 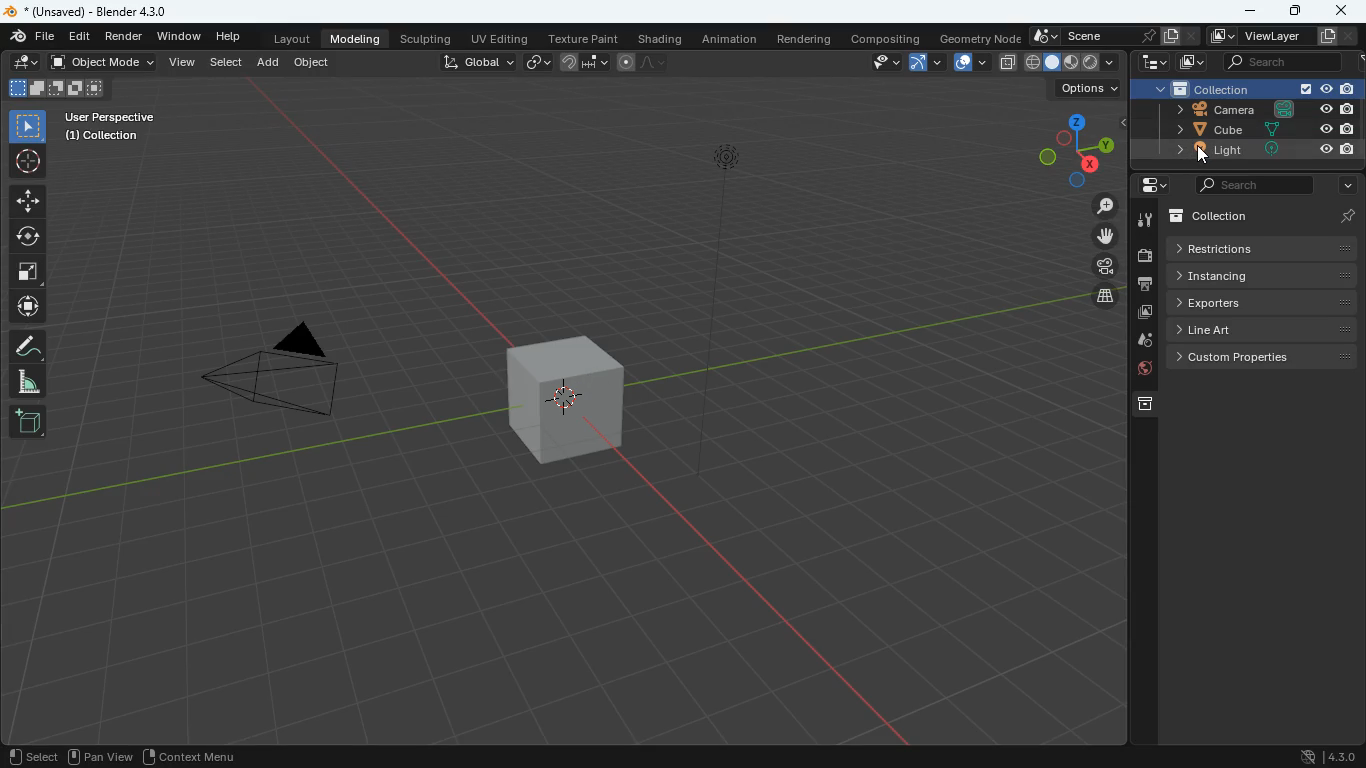 I want to click on move, so click(x=26, y=200).